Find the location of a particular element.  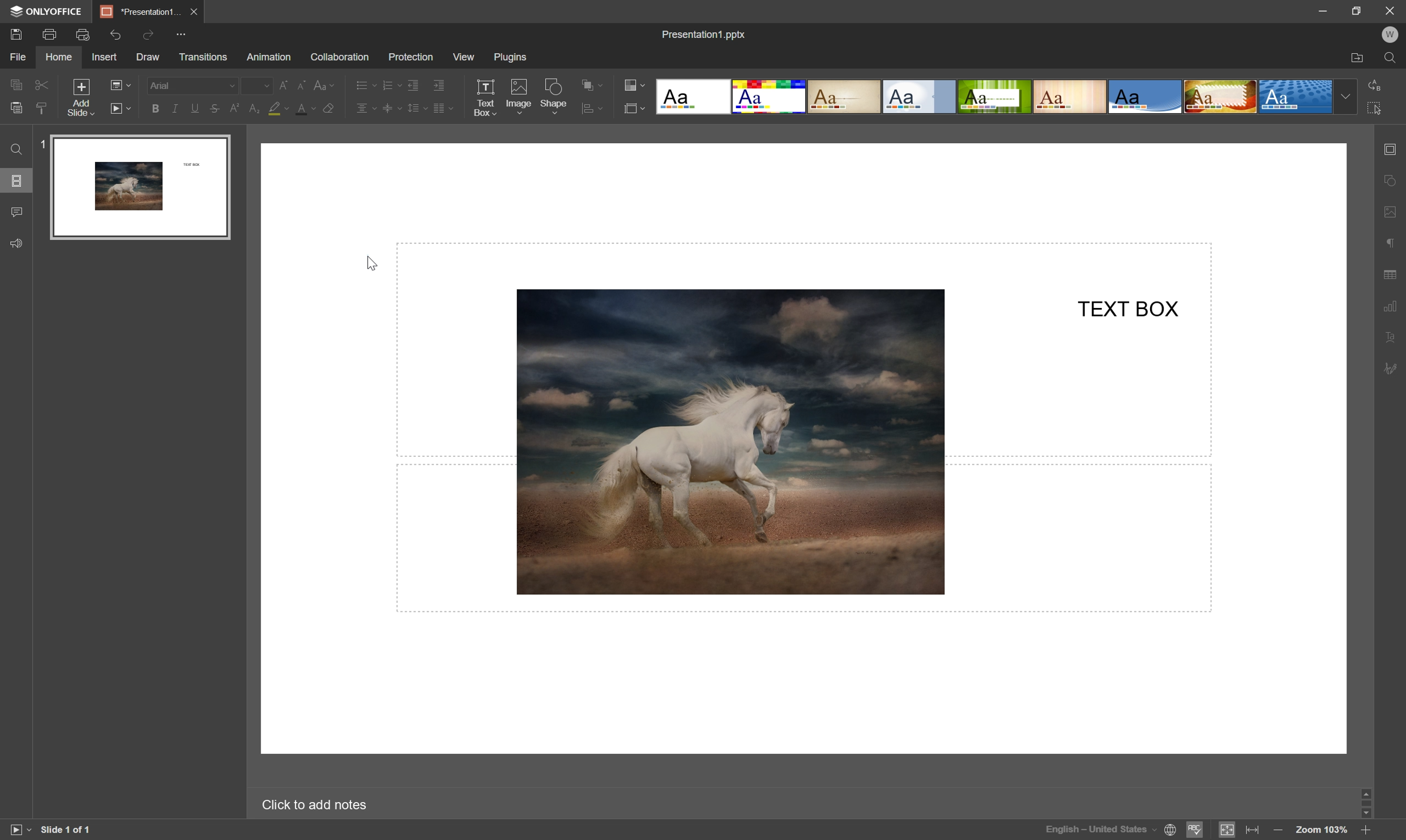

feedback & support is located at coordinates (16, 245).